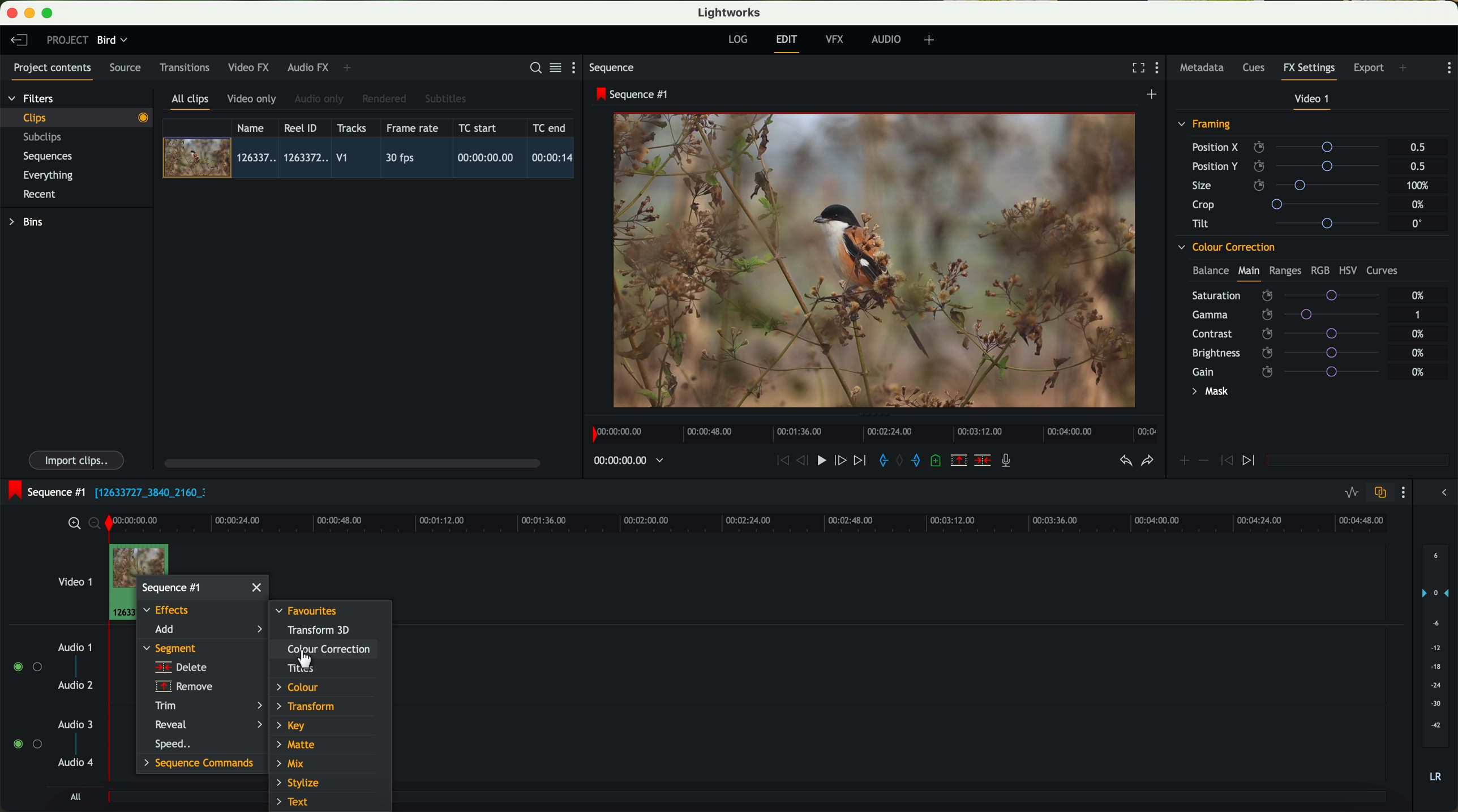 This screenshot has height=812, width=1458. I want to click on cues, so click(1257, 68).